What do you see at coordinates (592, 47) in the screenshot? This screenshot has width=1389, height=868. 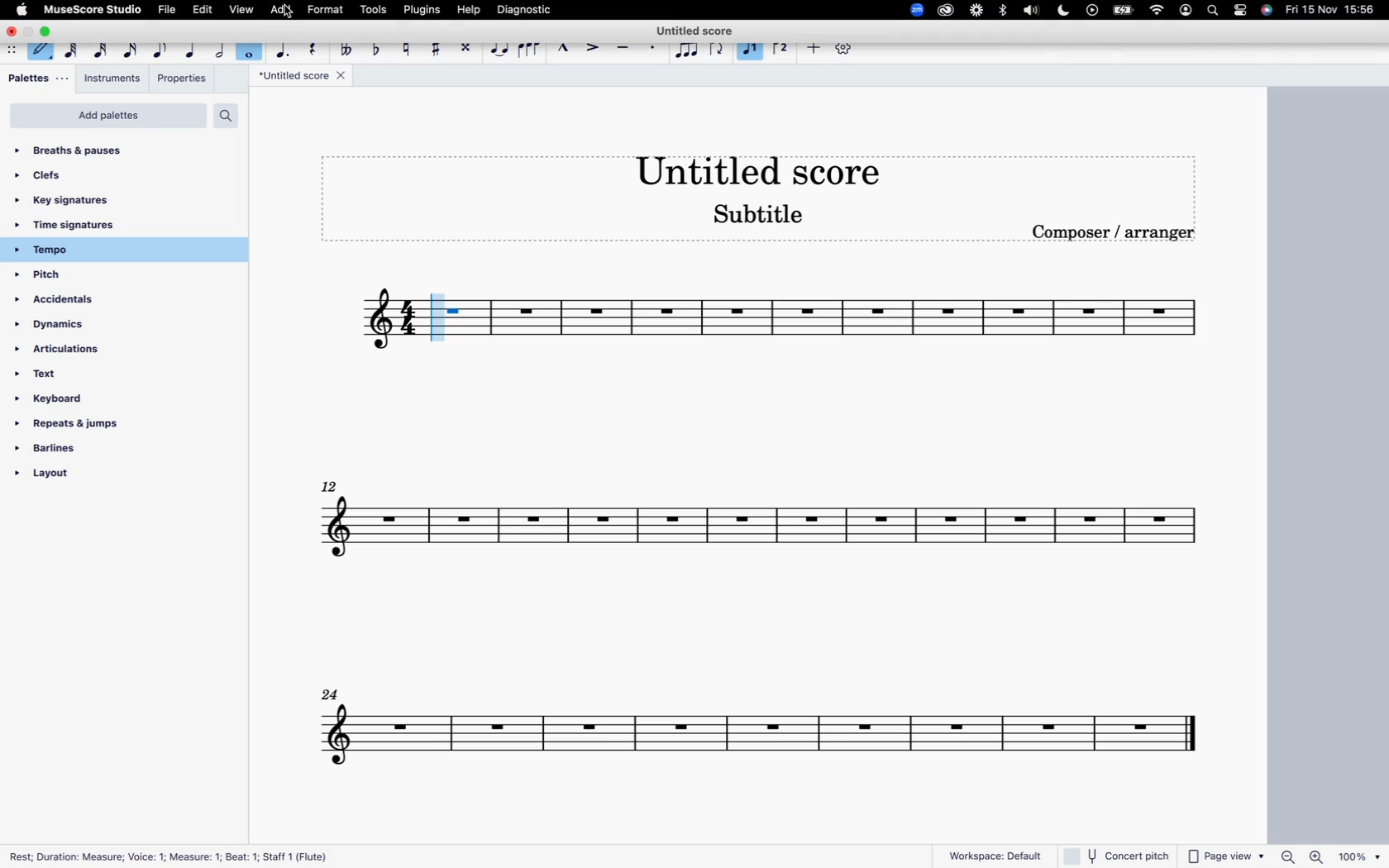 I see `accent` at bounding box center [592, 47].